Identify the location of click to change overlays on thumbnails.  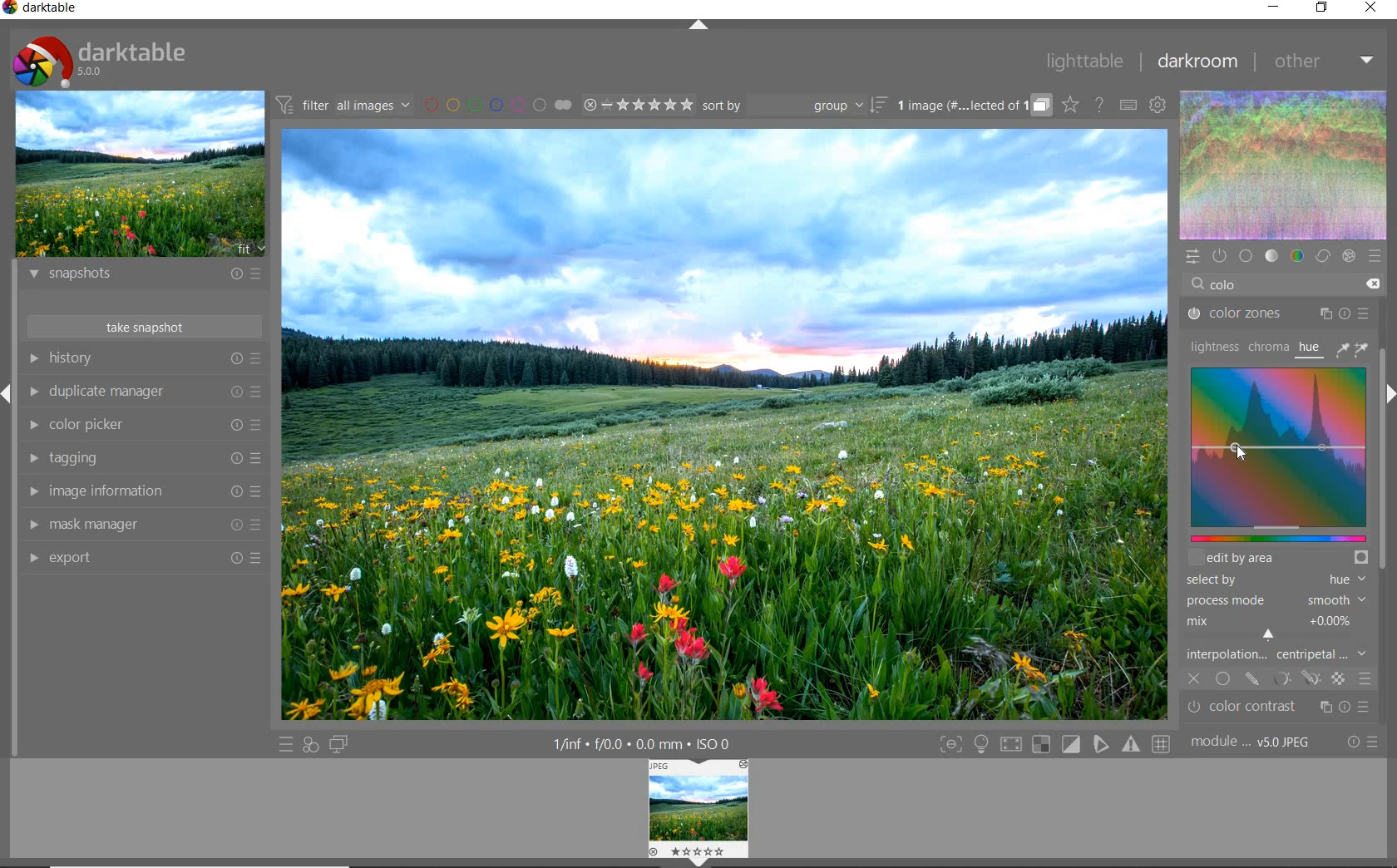
(1069, 104).